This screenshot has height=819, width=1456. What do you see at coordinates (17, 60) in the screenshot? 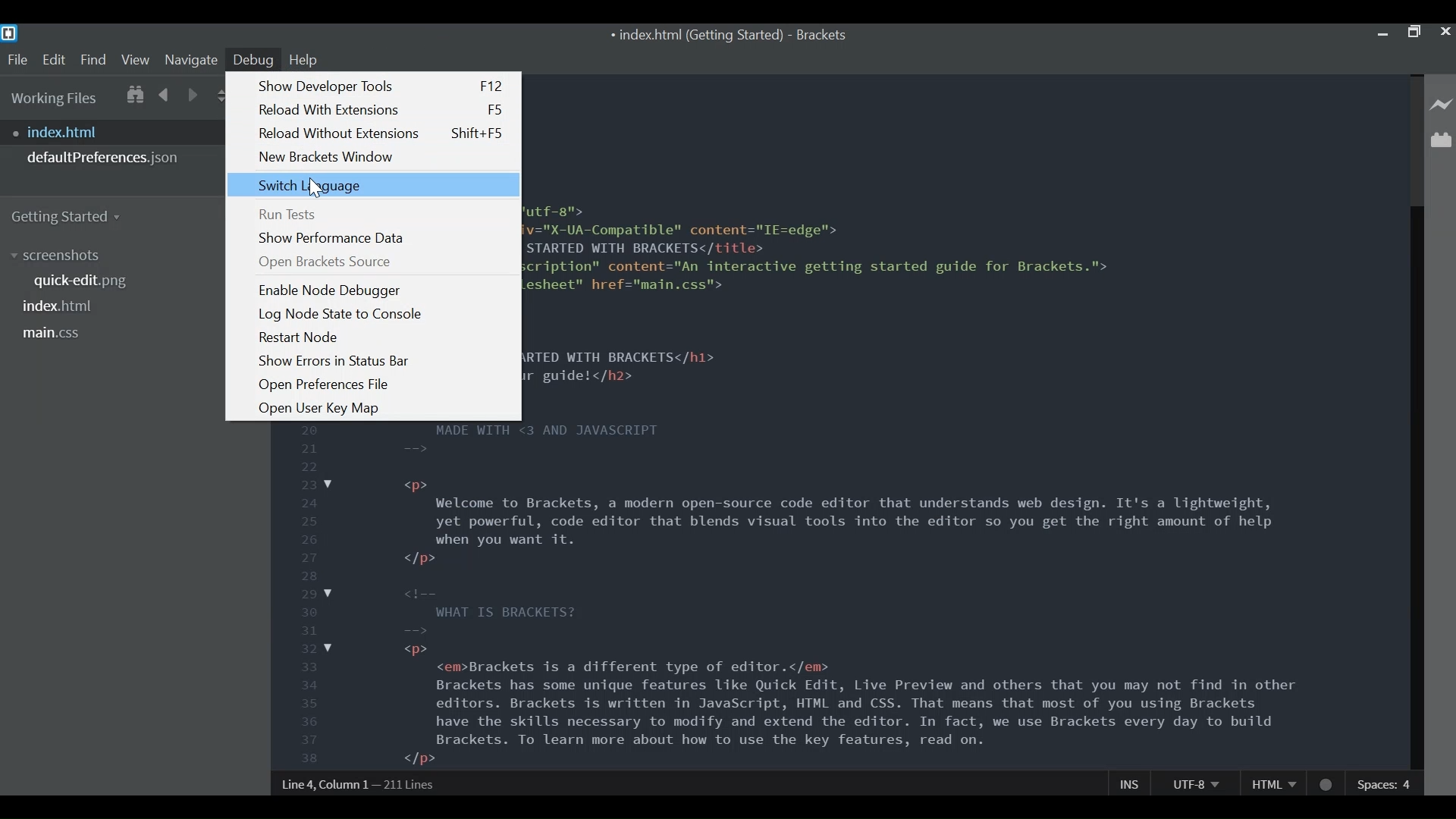
I see `File` at bounding box center [17, 60].